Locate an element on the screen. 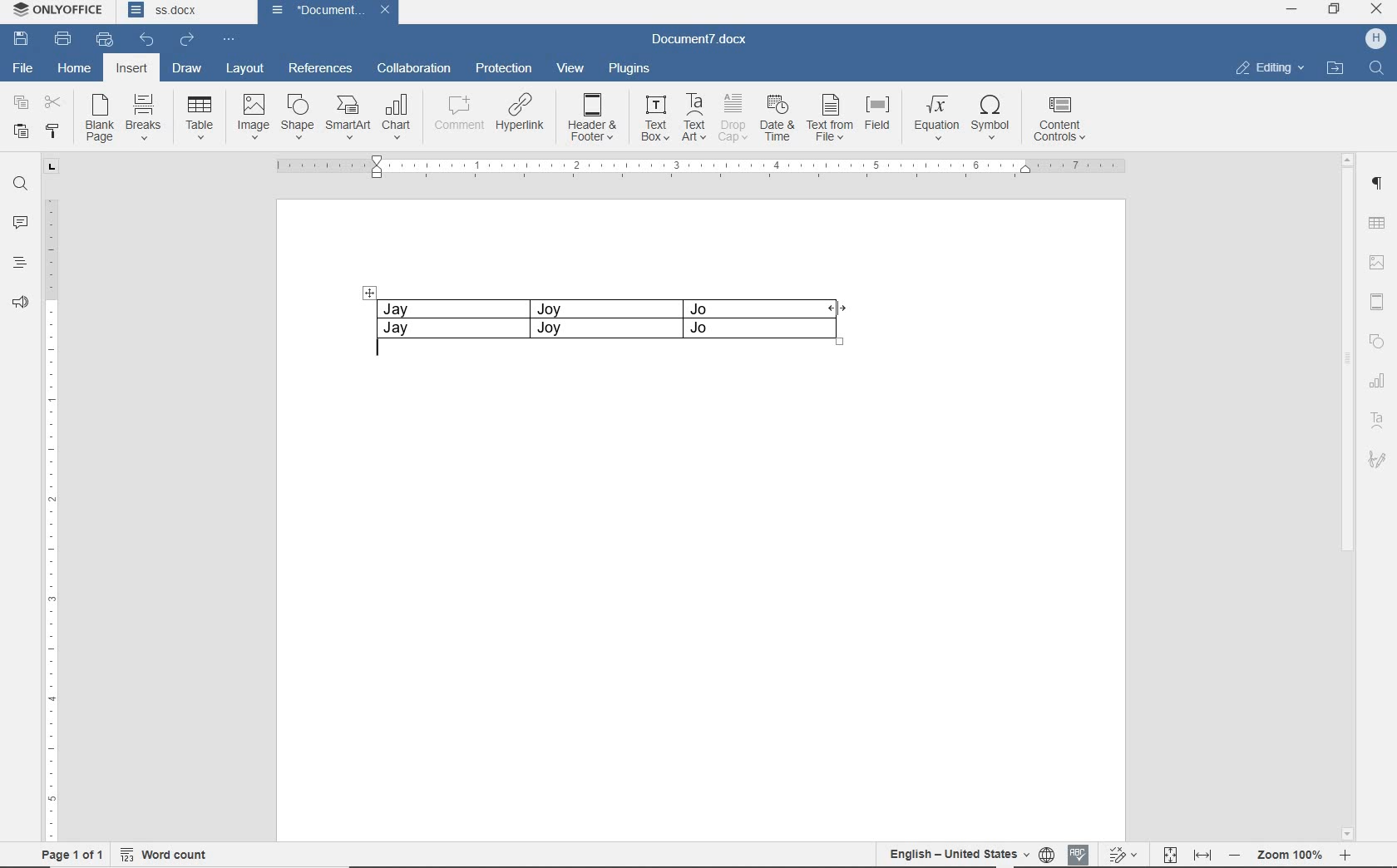 The height and width of the screenshot is (868, 1397). WORD COUNT is located at coordinates (167, 852).